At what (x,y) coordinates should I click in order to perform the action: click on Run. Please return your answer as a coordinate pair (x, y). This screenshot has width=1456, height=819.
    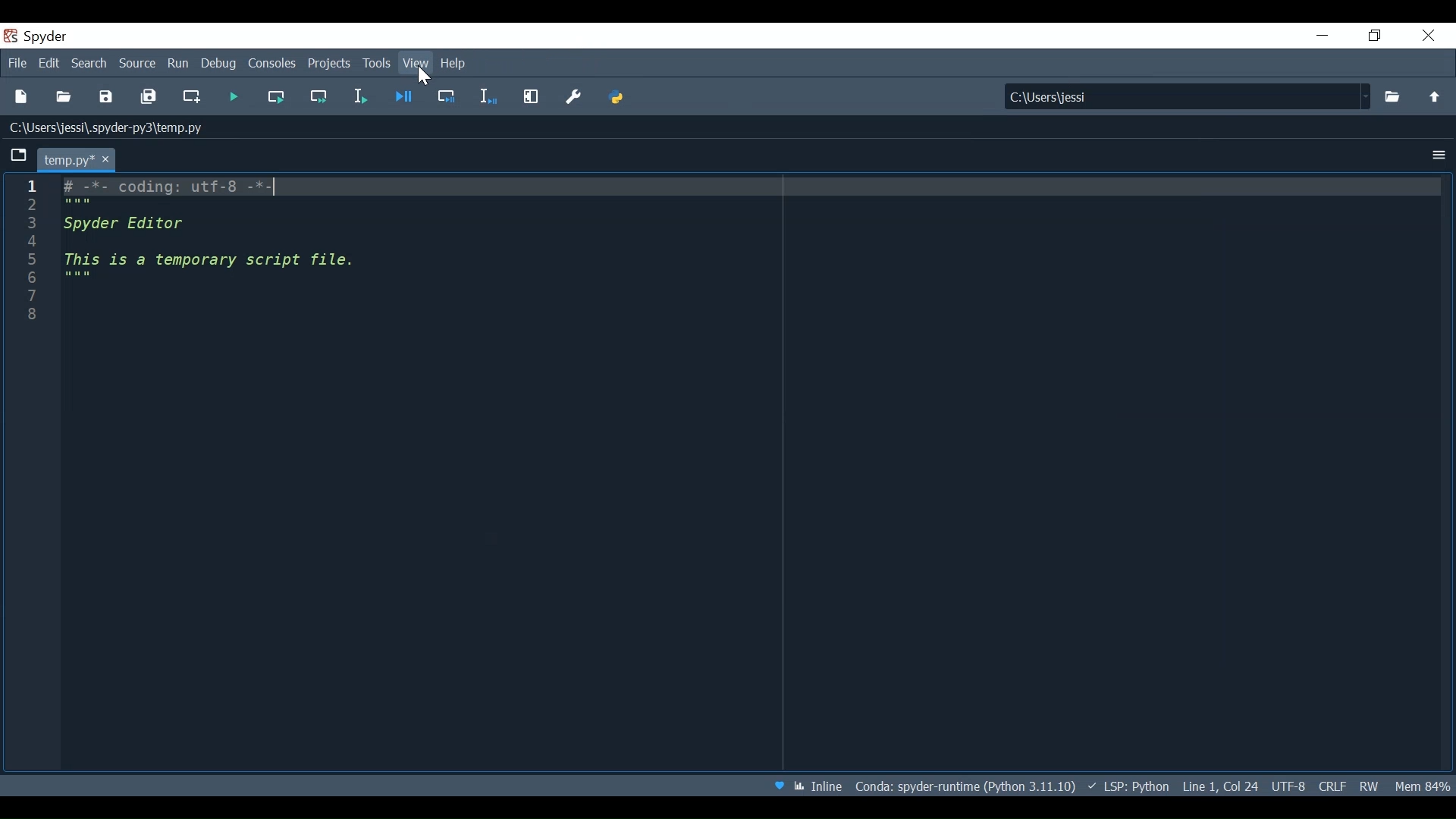
    Looking at the image, I should click on (177, 63).